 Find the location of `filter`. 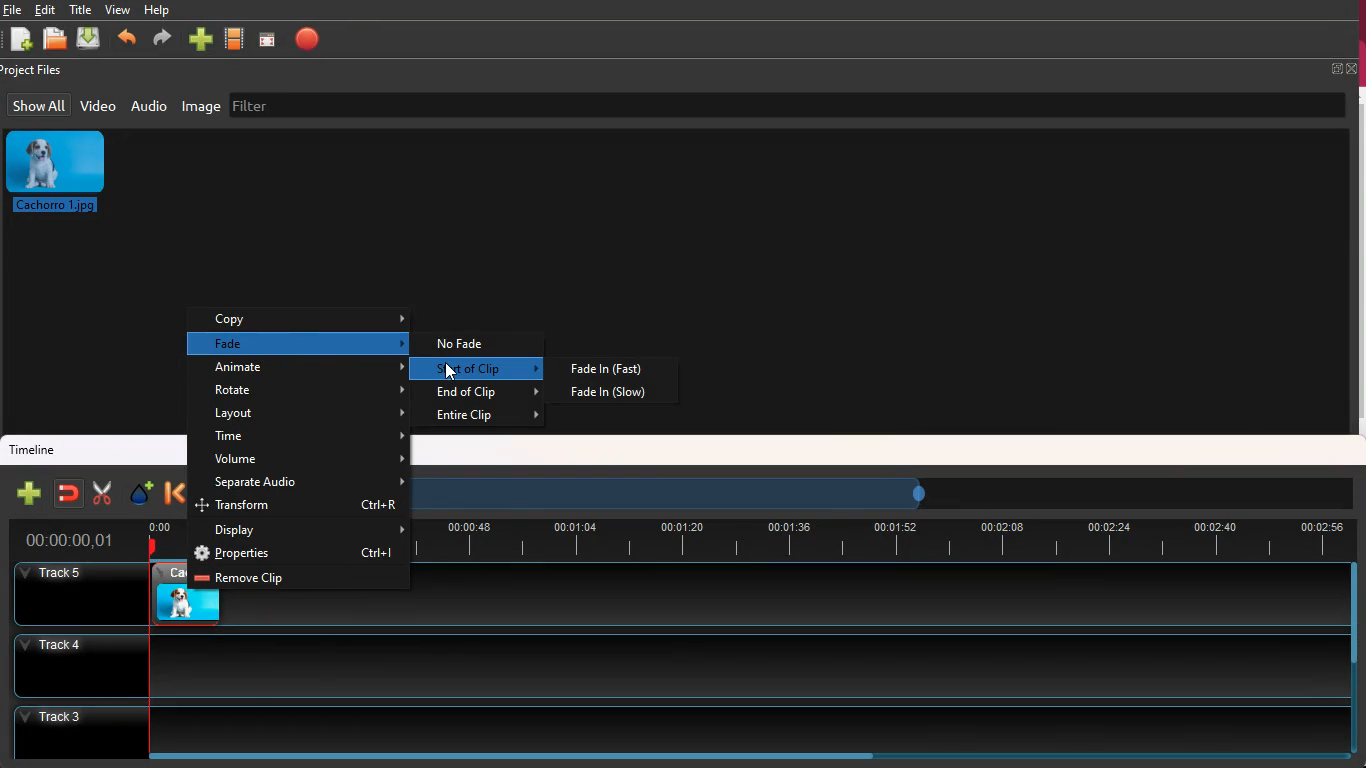

filter is located at coordinates (260, 105).